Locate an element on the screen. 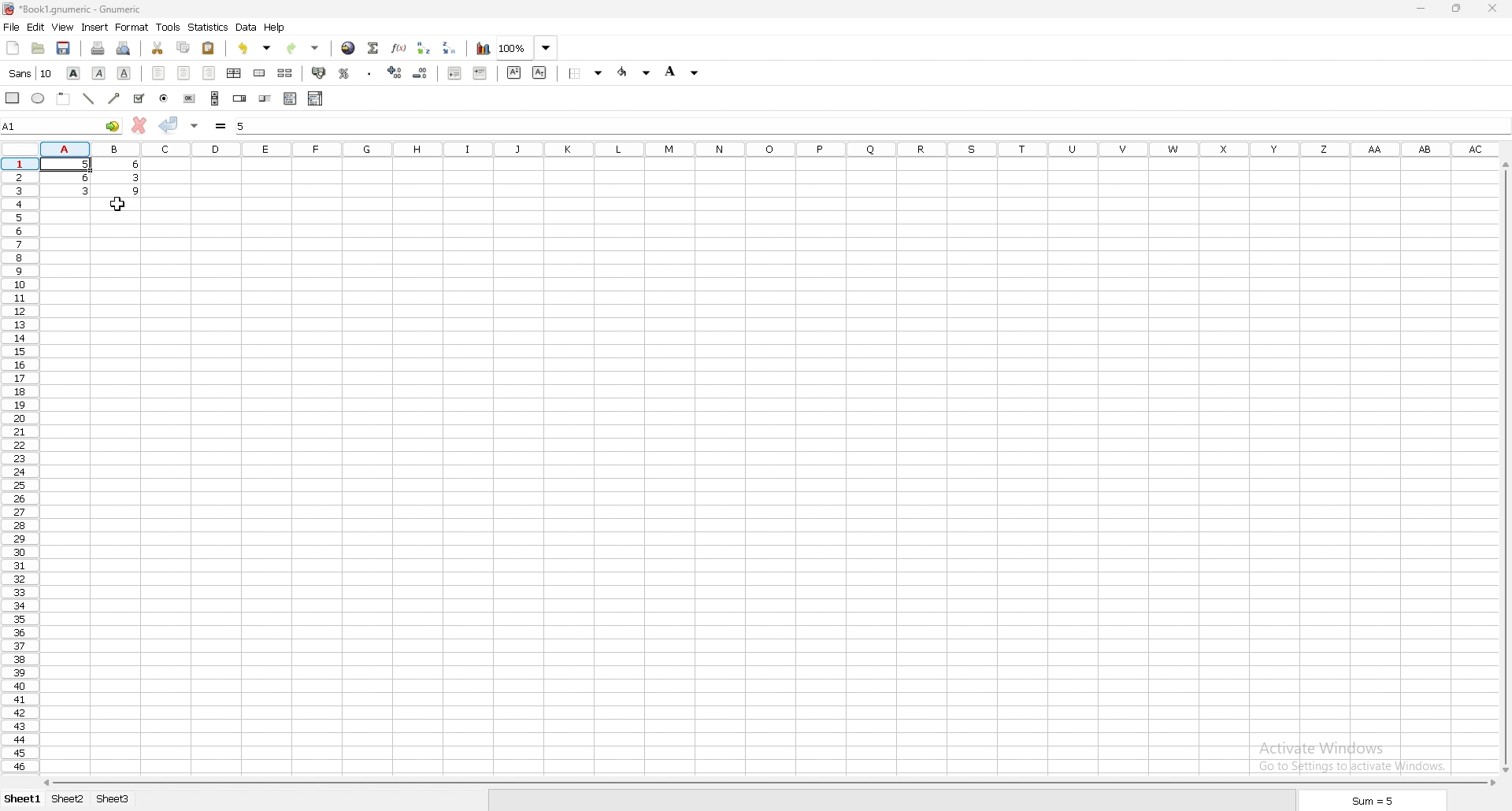  tools is located at coordinates (168, 28).